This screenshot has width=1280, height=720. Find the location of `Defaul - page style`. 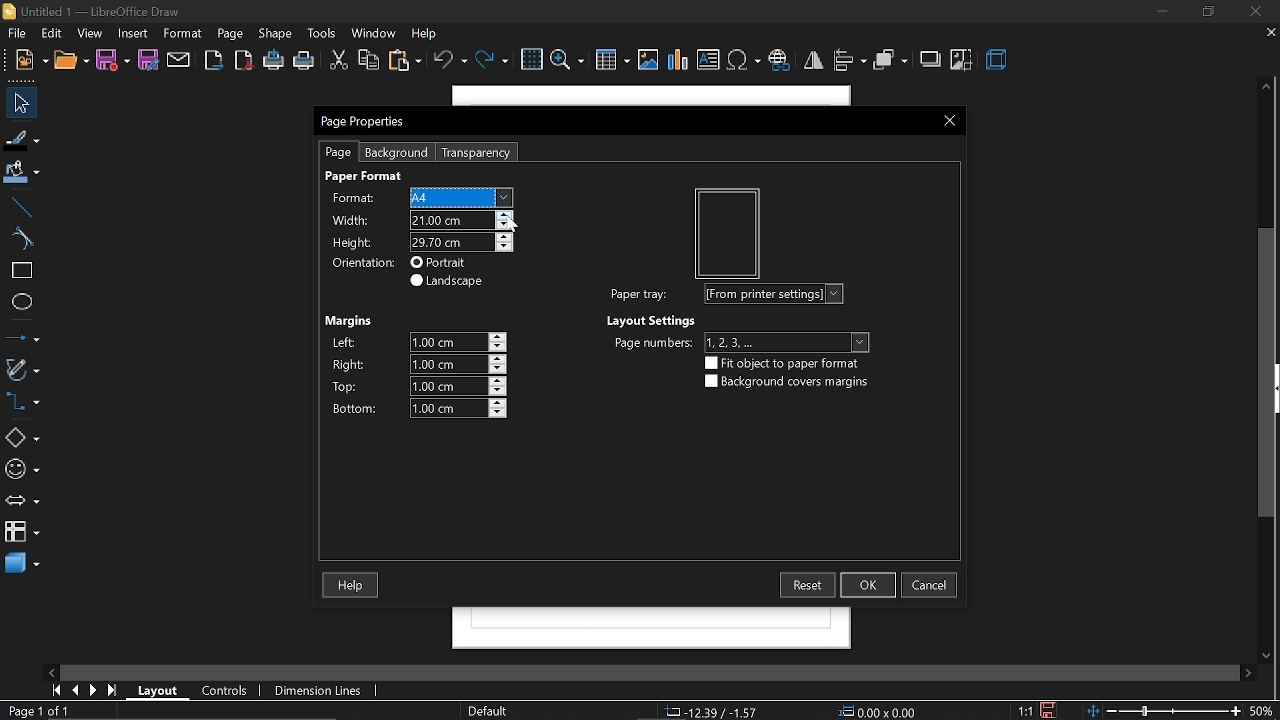

Defaul - page style is located at coordinates (492, 711).